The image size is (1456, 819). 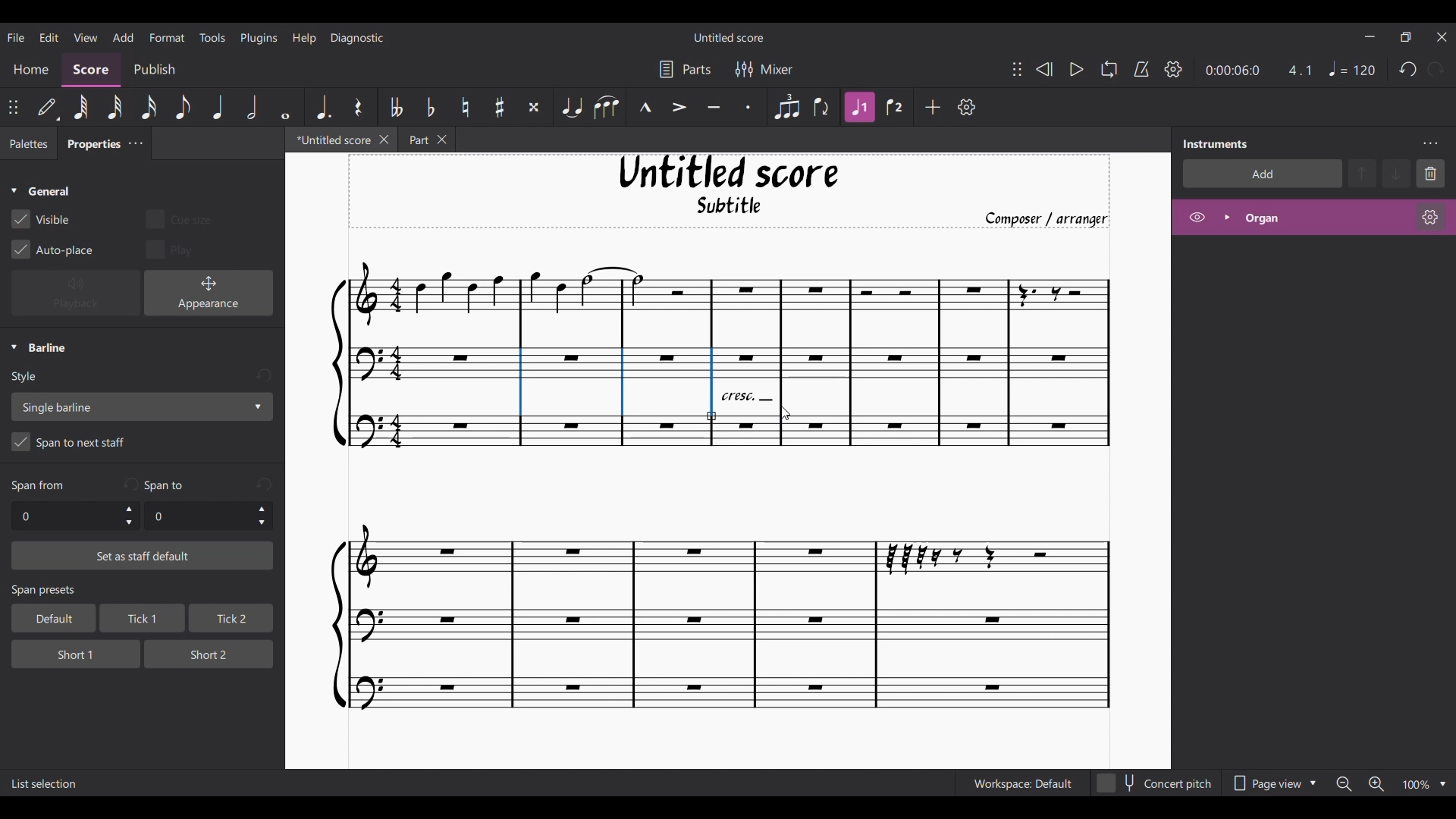 What do you see at coordinates (197, 516) in the screenshot?
I see `Type in Span to` at bounding box center [197, 516].